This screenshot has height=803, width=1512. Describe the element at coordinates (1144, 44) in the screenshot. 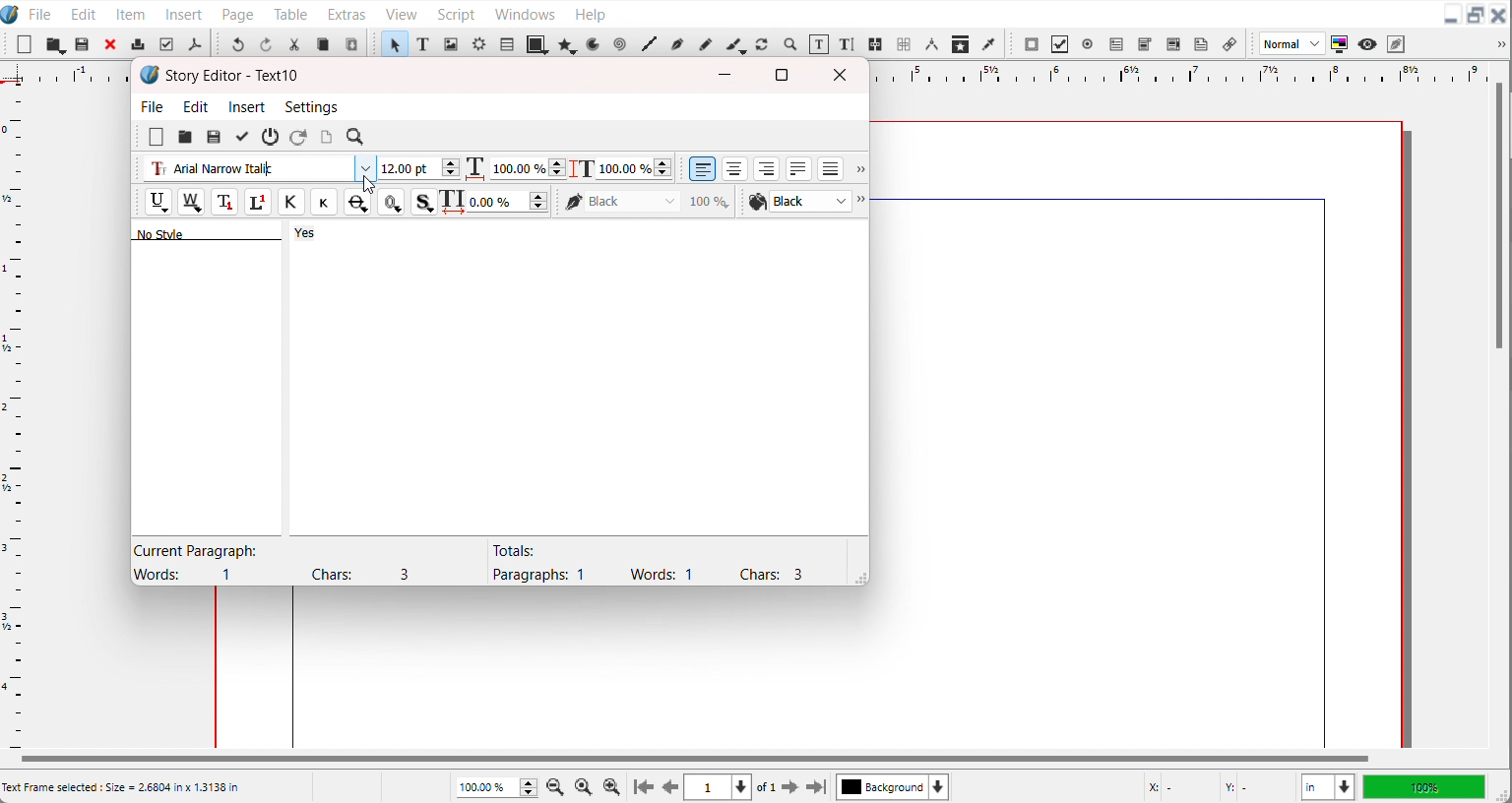

I see `PDF Combo button` at that location.